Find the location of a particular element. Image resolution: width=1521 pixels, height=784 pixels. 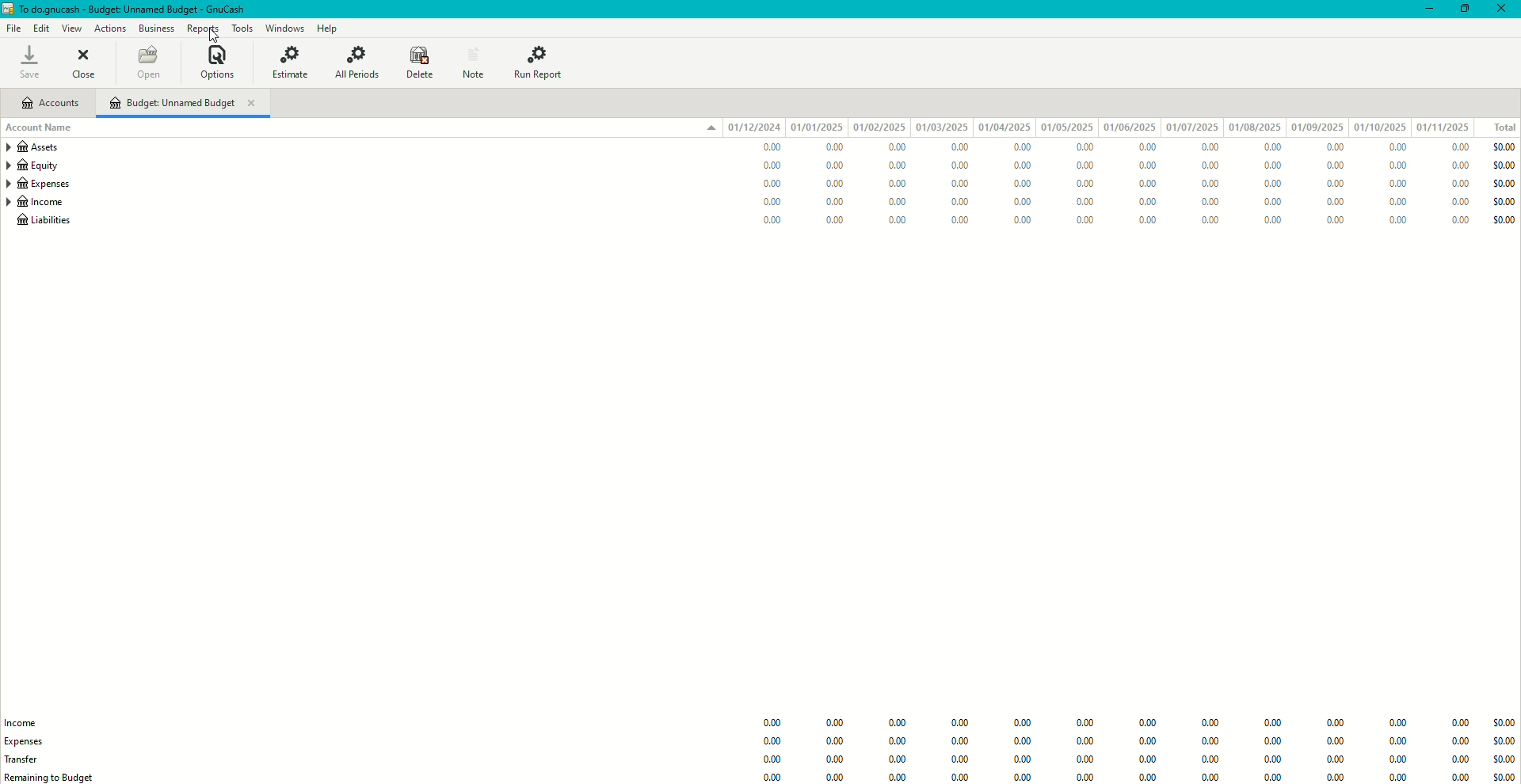

Total is located at coordinates (1504, 127).